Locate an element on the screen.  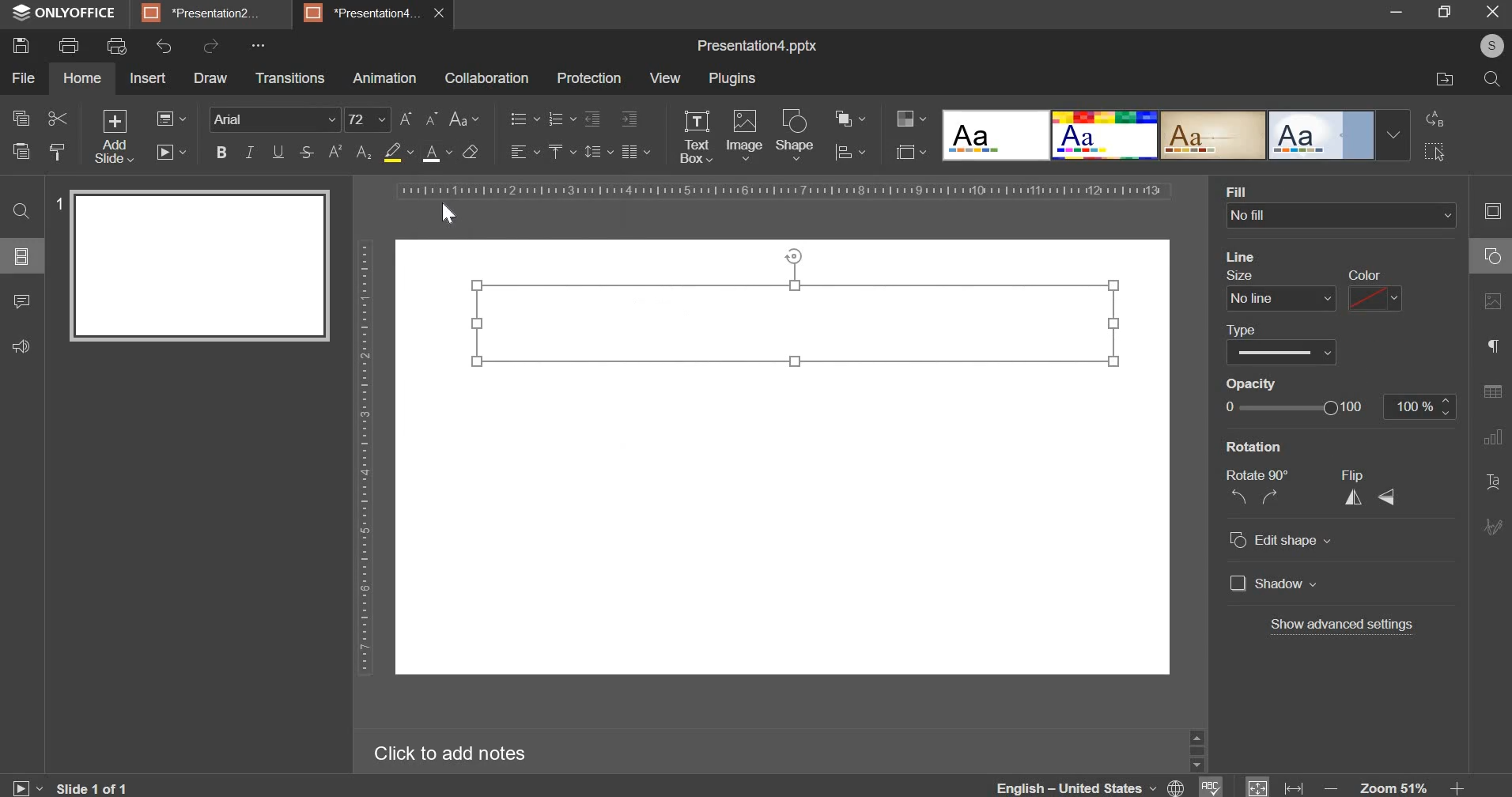
Slide 1 of 1 is located at coordinates (99, 786).